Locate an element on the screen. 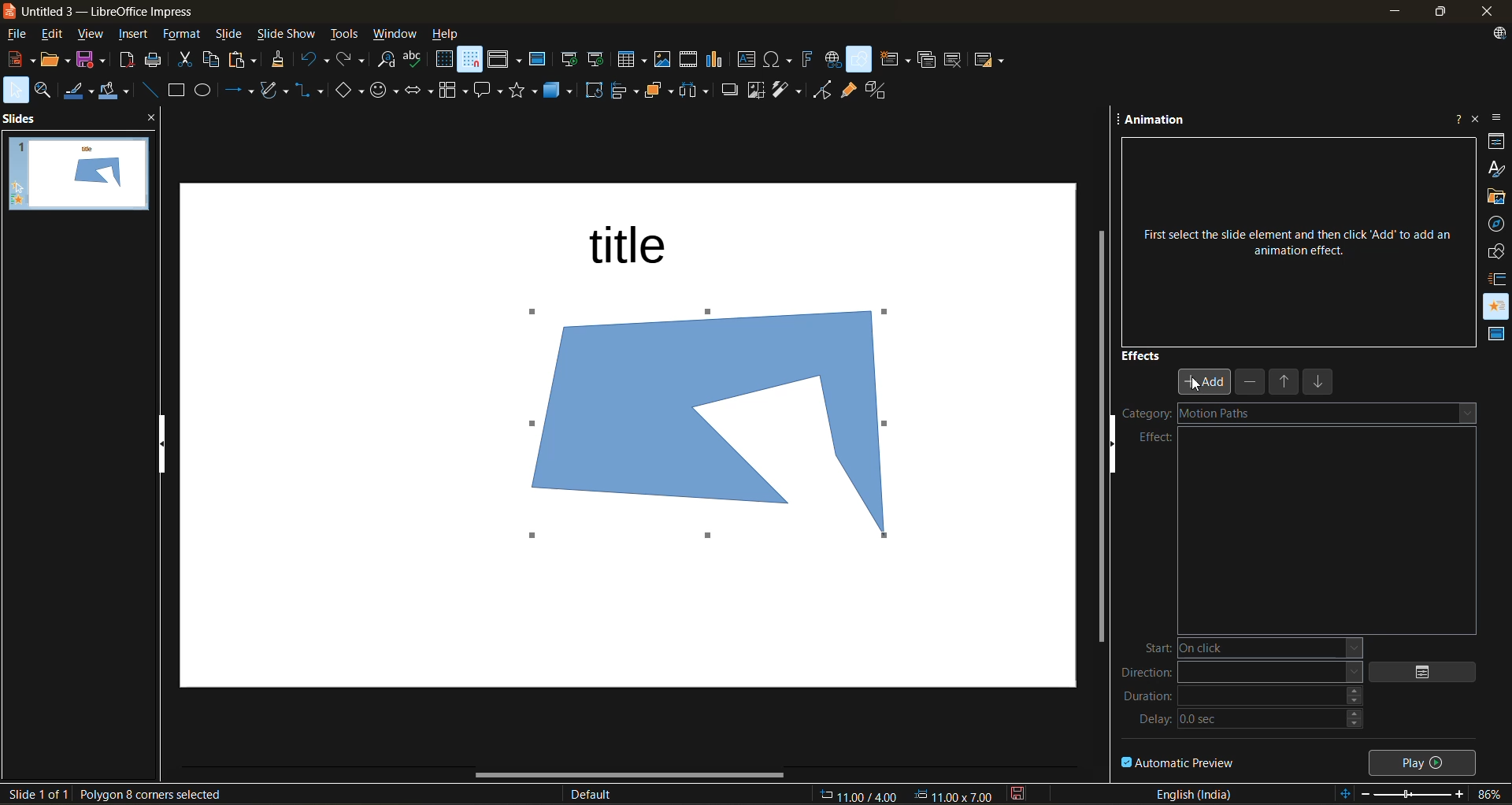  slide layout is located at coordinates (991, 62).